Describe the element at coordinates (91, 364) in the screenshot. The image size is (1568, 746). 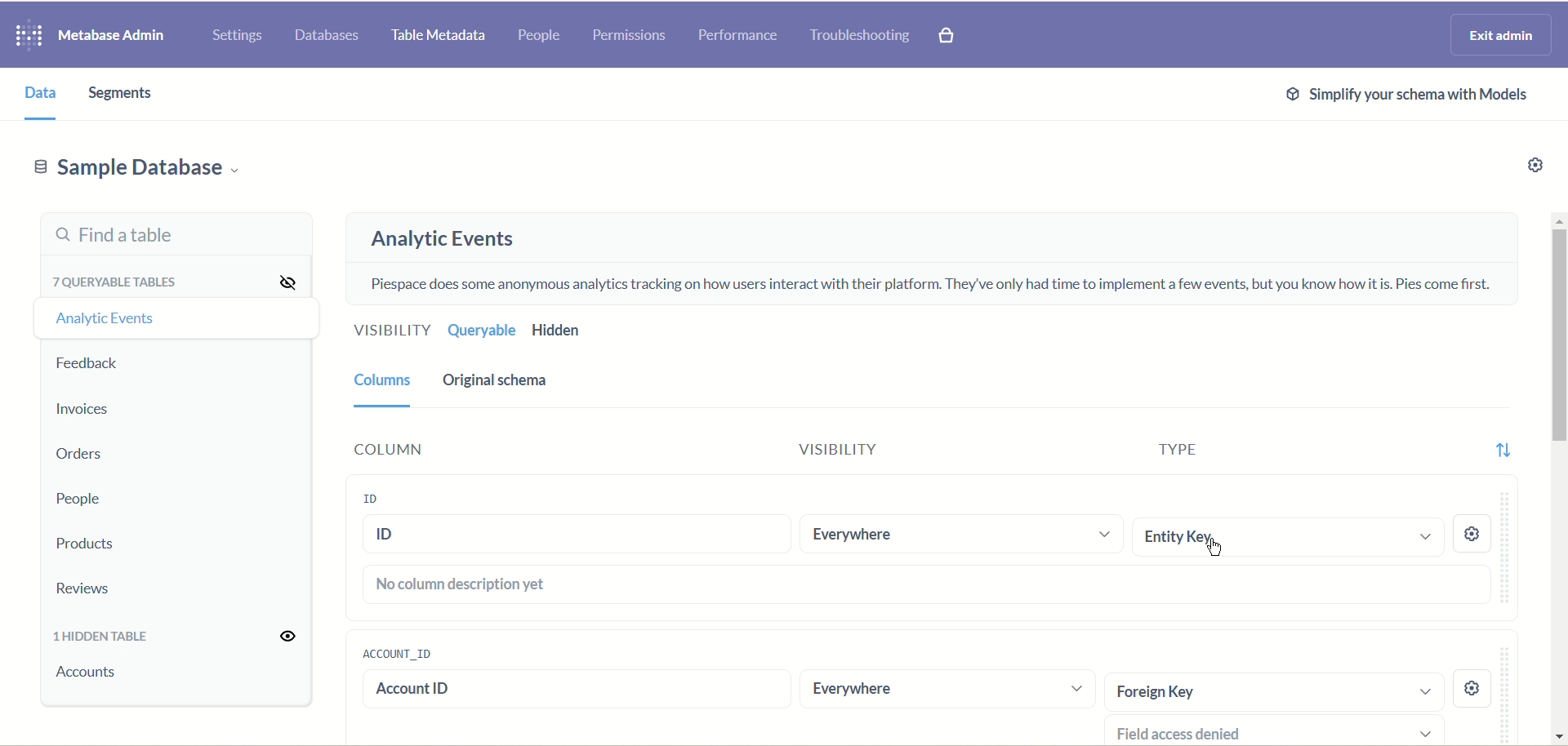
I see `feedback` at that location.